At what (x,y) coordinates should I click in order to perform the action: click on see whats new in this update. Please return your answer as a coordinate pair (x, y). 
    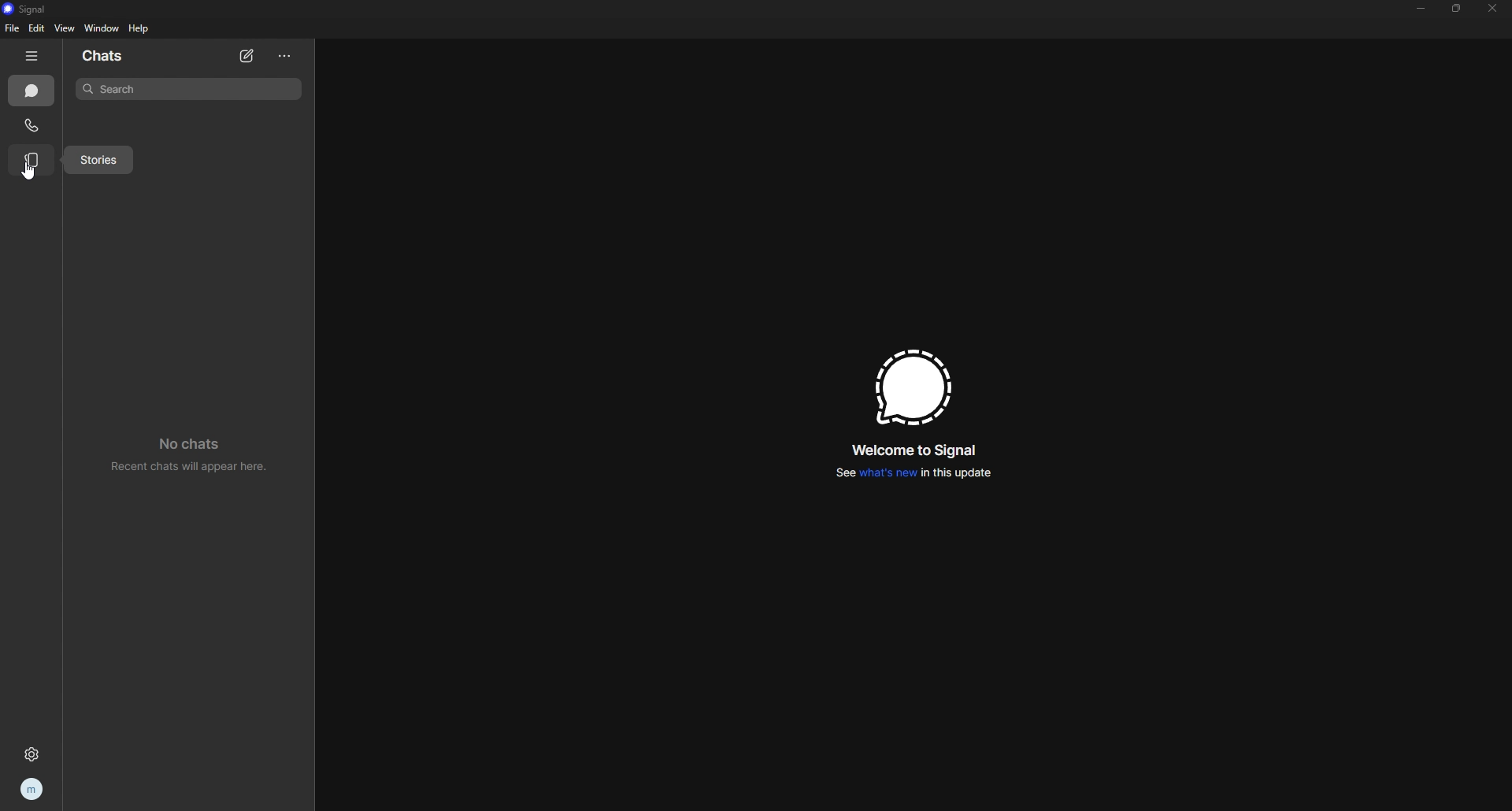
    Looking at the image, I should click on (917, 474).